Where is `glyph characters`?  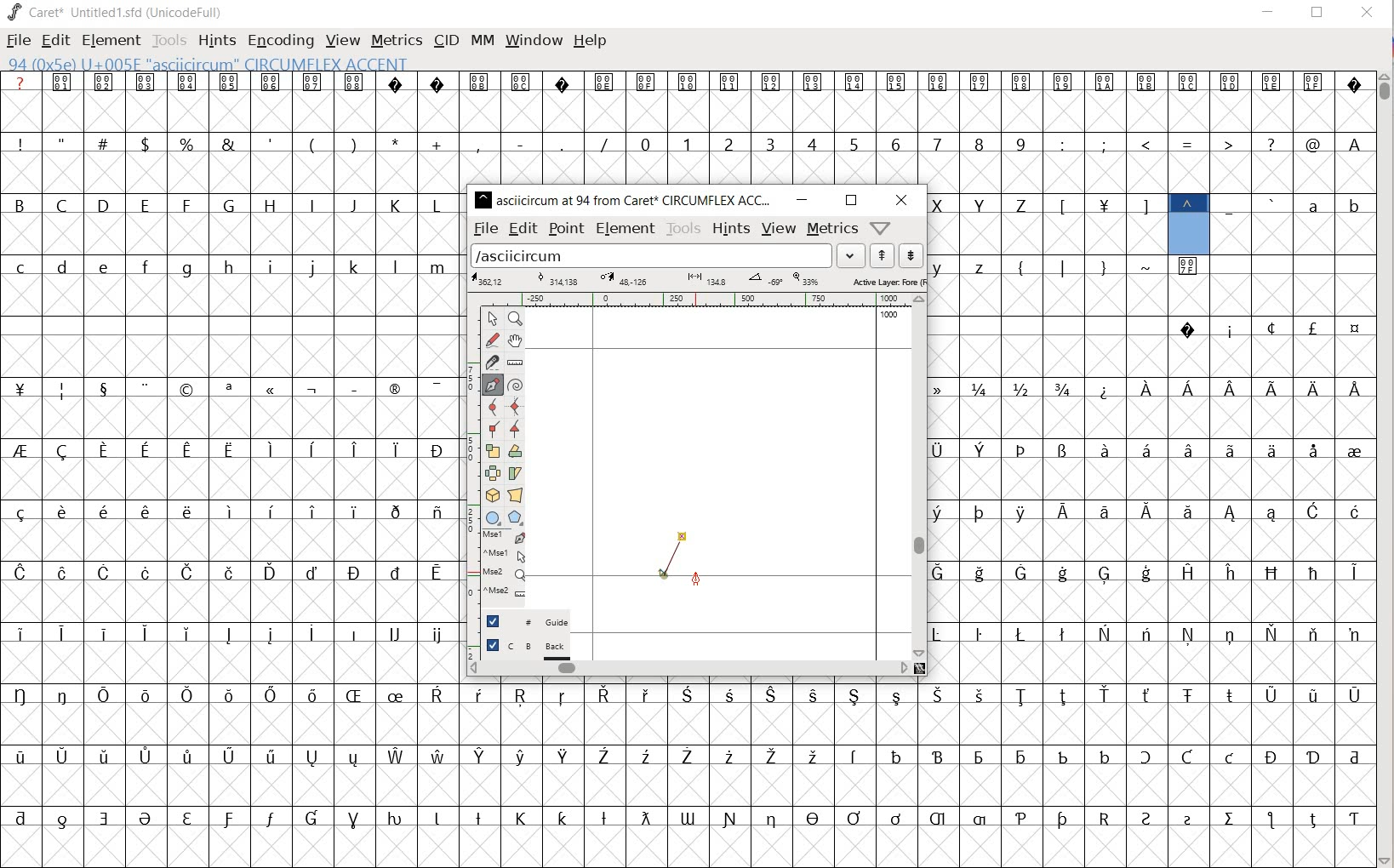 glyph characters is located at coordinates (1151, 468).